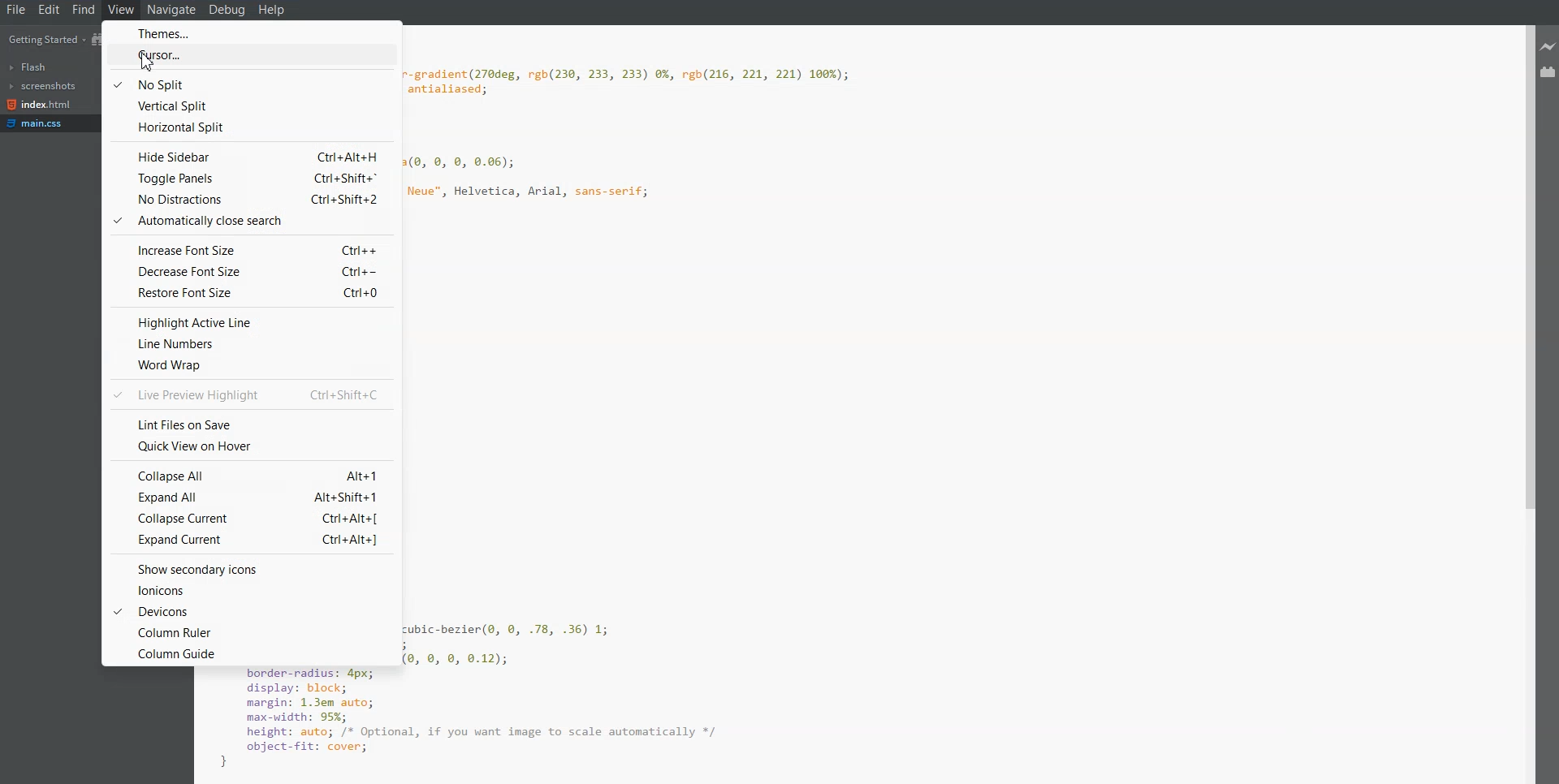 This screenshot has width=1559, height=784. What do you see at coordinates (250, 365) in the screenshot?
I see `Word Wrap` at bounding box center [250, 365].